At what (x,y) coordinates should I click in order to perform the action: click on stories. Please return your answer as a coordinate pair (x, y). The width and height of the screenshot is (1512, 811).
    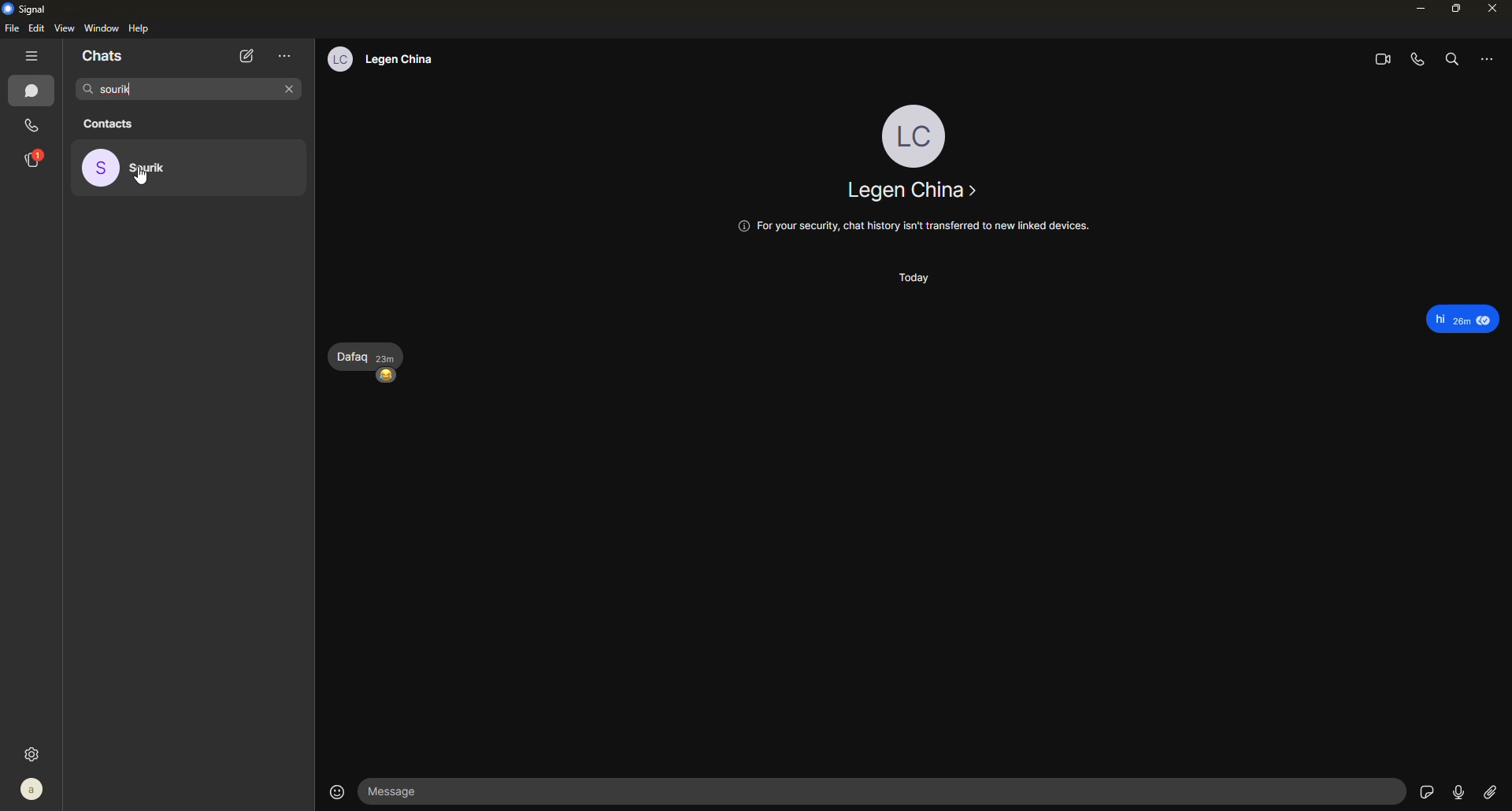
    Looking at the image, I should click on (35, 163).